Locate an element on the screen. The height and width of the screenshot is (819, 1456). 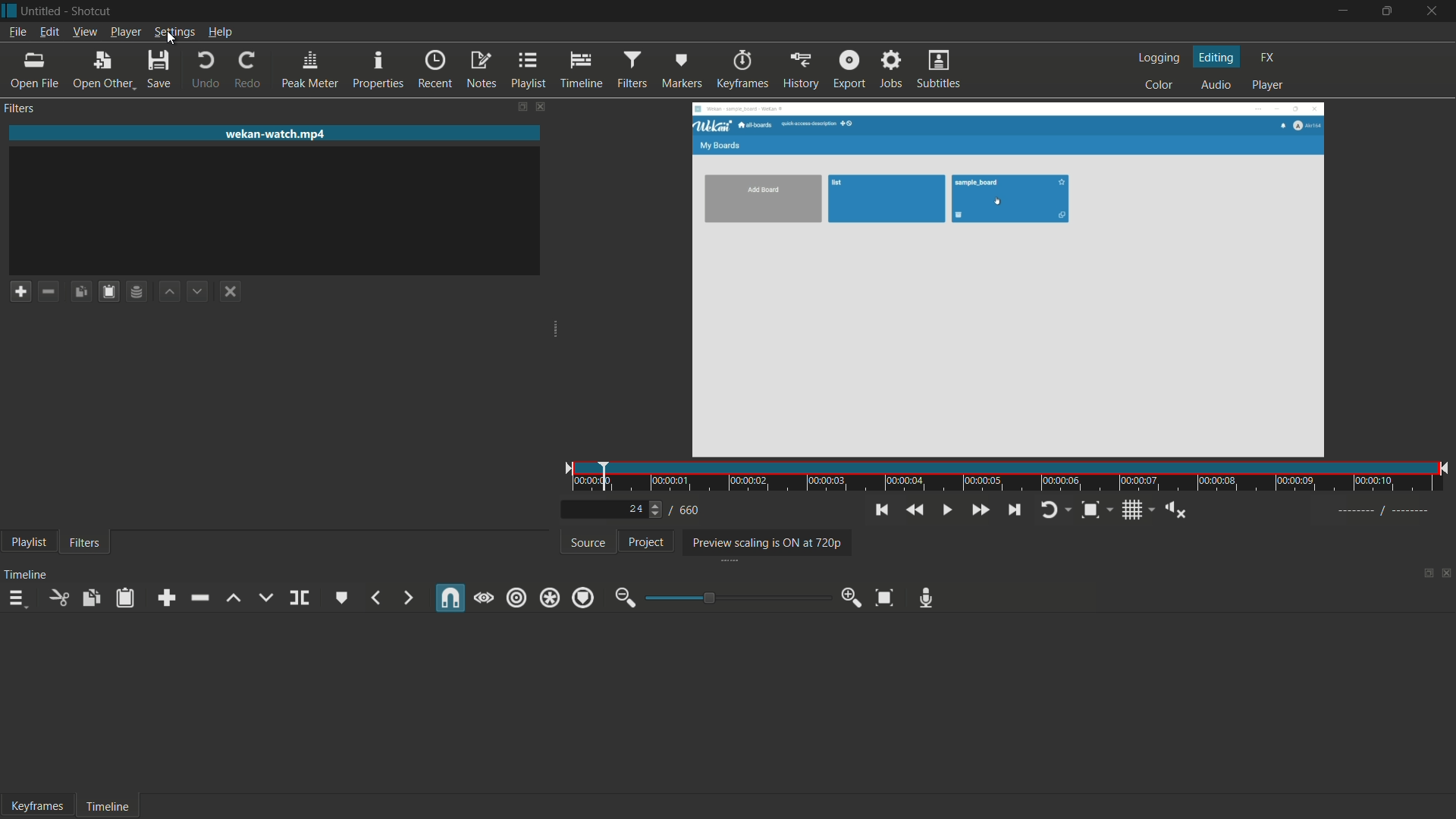
filters is located at coordinates (85, 544).